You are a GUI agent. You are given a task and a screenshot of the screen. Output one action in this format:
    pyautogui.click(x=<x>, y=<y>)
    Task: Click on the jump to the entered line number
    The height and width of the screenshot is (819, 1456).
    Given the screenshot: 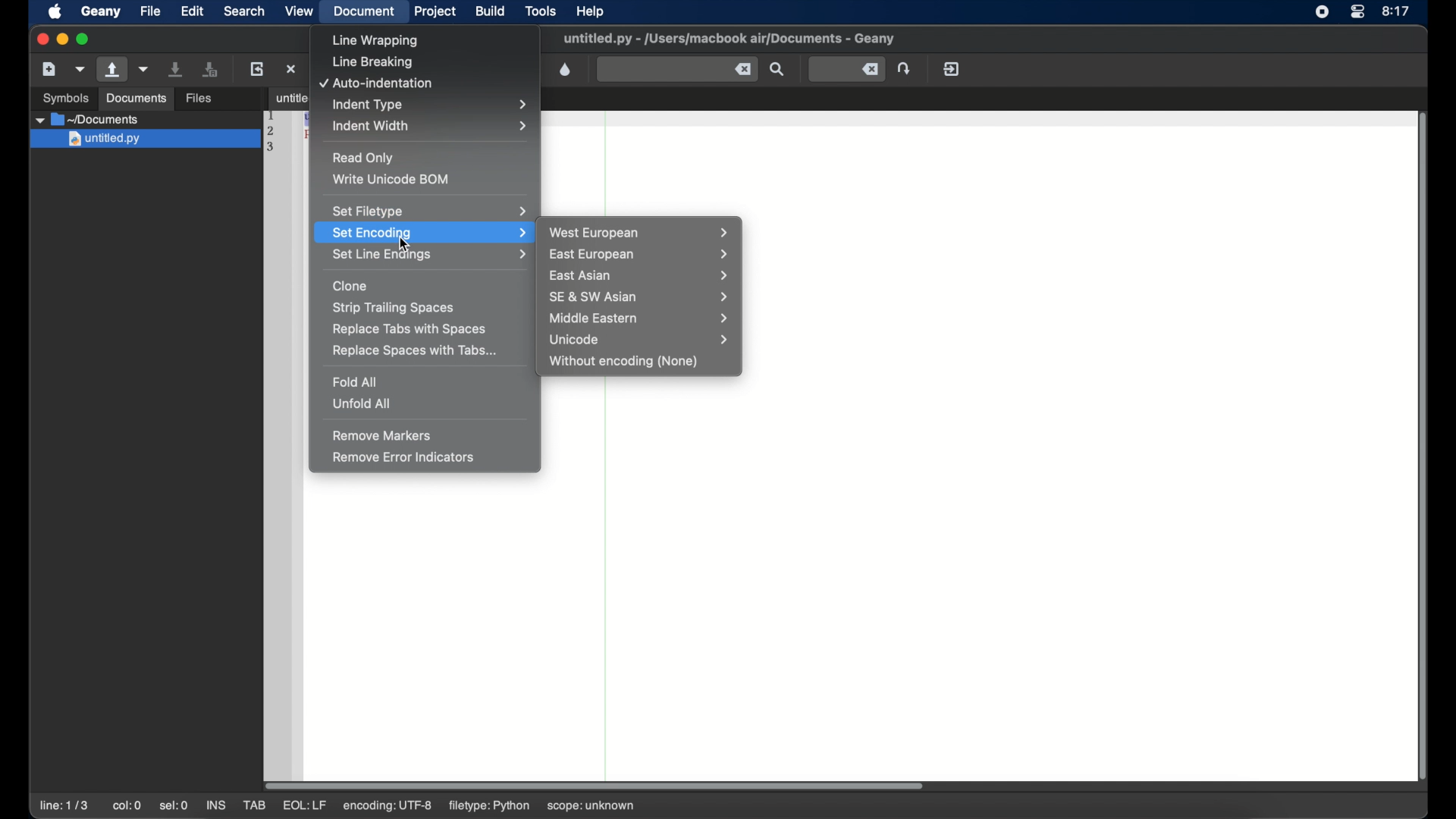 What is the action you would take?
    pyautogui.click(x=904, y=68)
    